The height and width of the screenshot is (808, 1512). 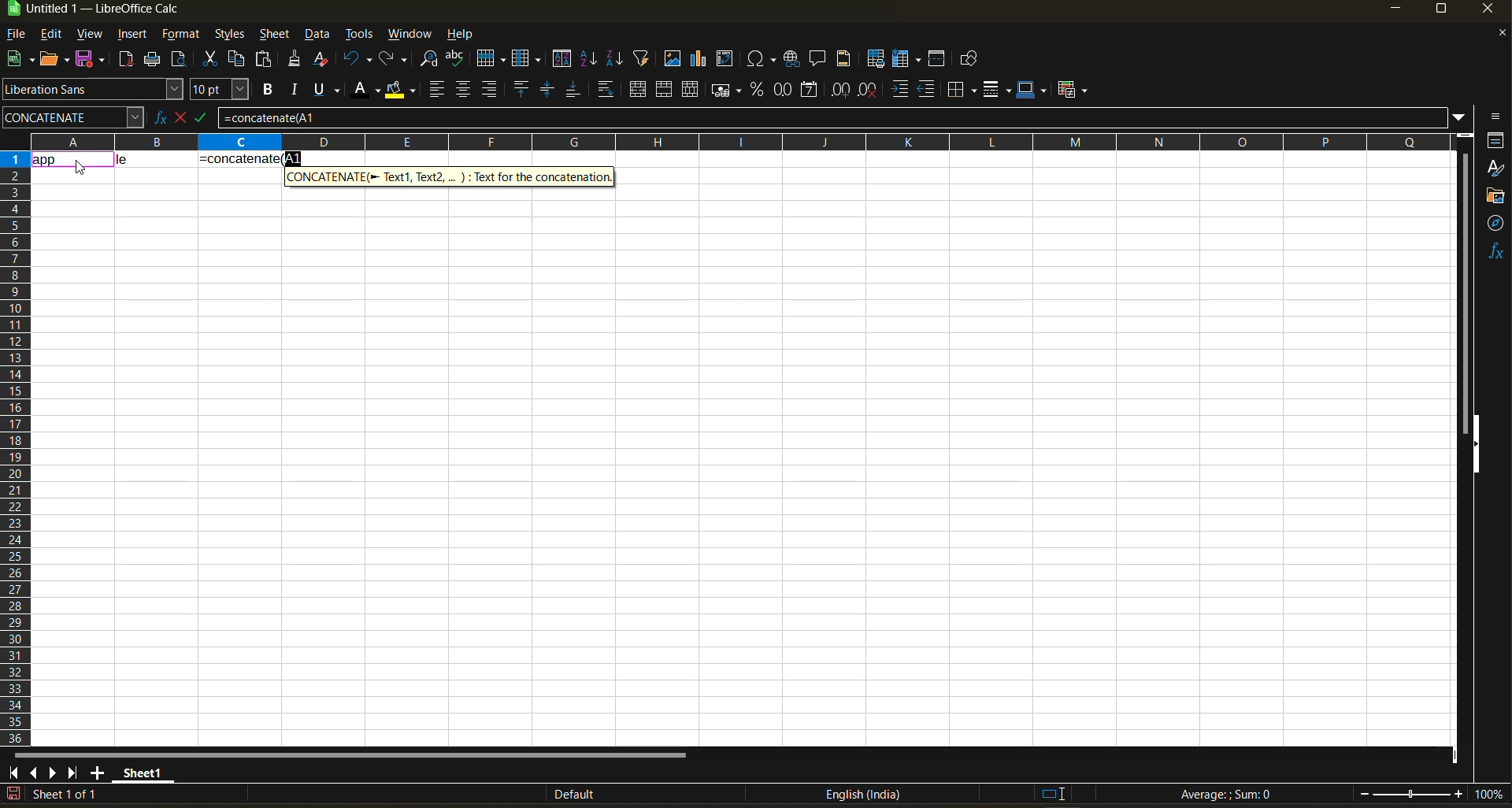 What do you see at coordinates (250, 158) in the screenshot?
I see `formula` at bounding box center [250, 158].